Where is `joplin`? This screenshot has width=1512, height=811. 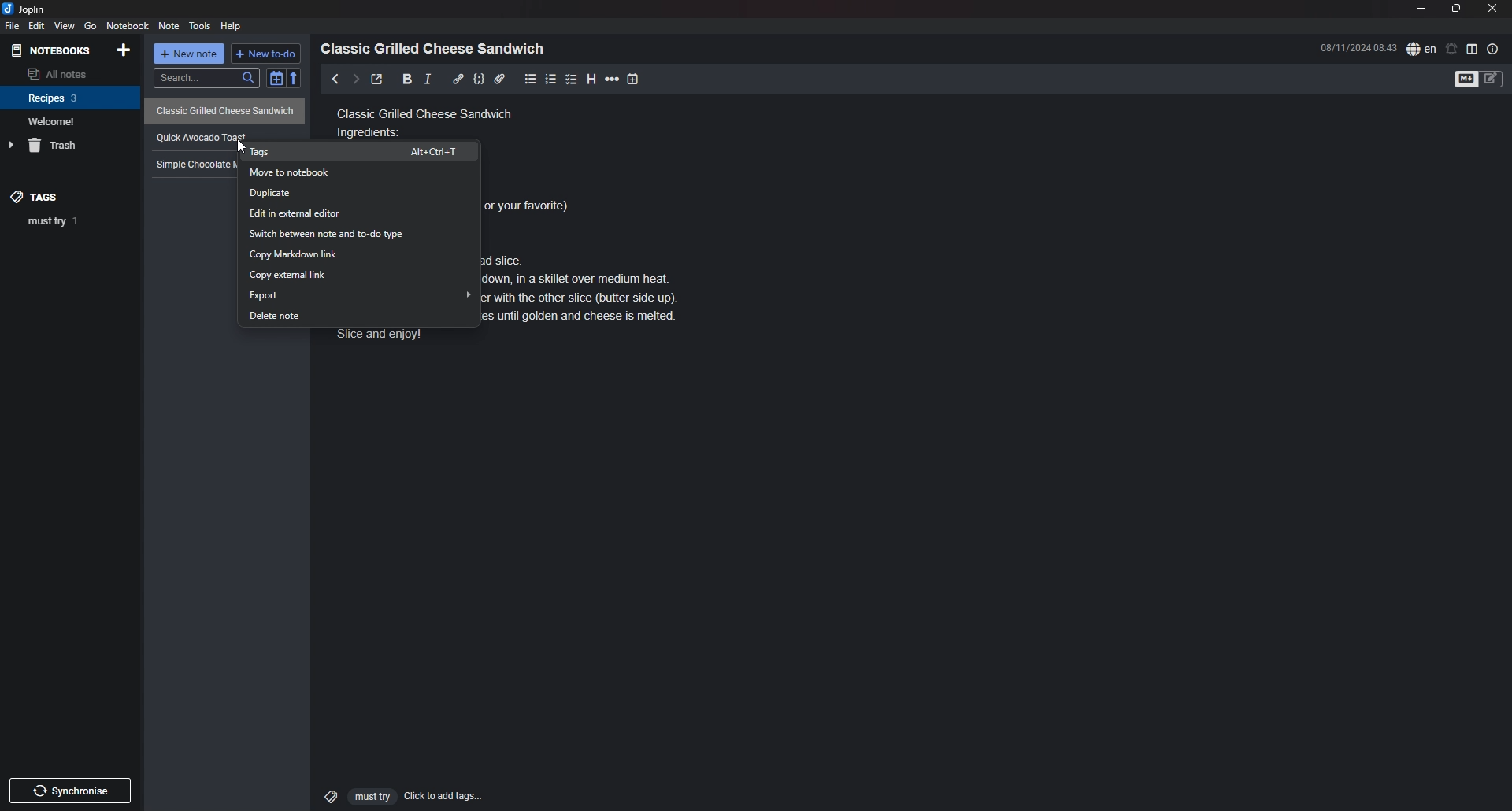
joplin is located at coordinates (26, 9).